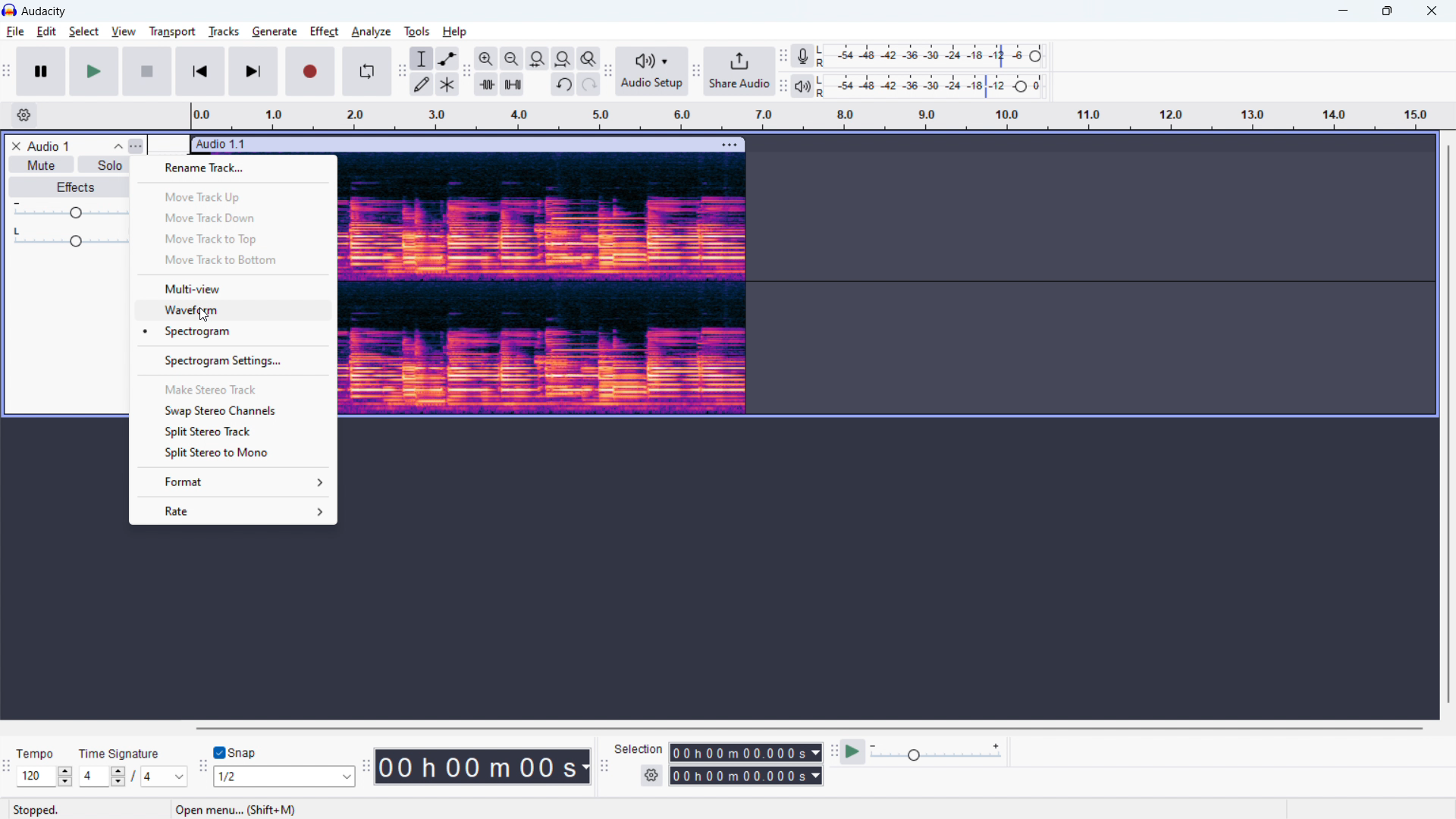 This screenshot has width=1456, height=819. I want to click on gain, so click(71, 210).